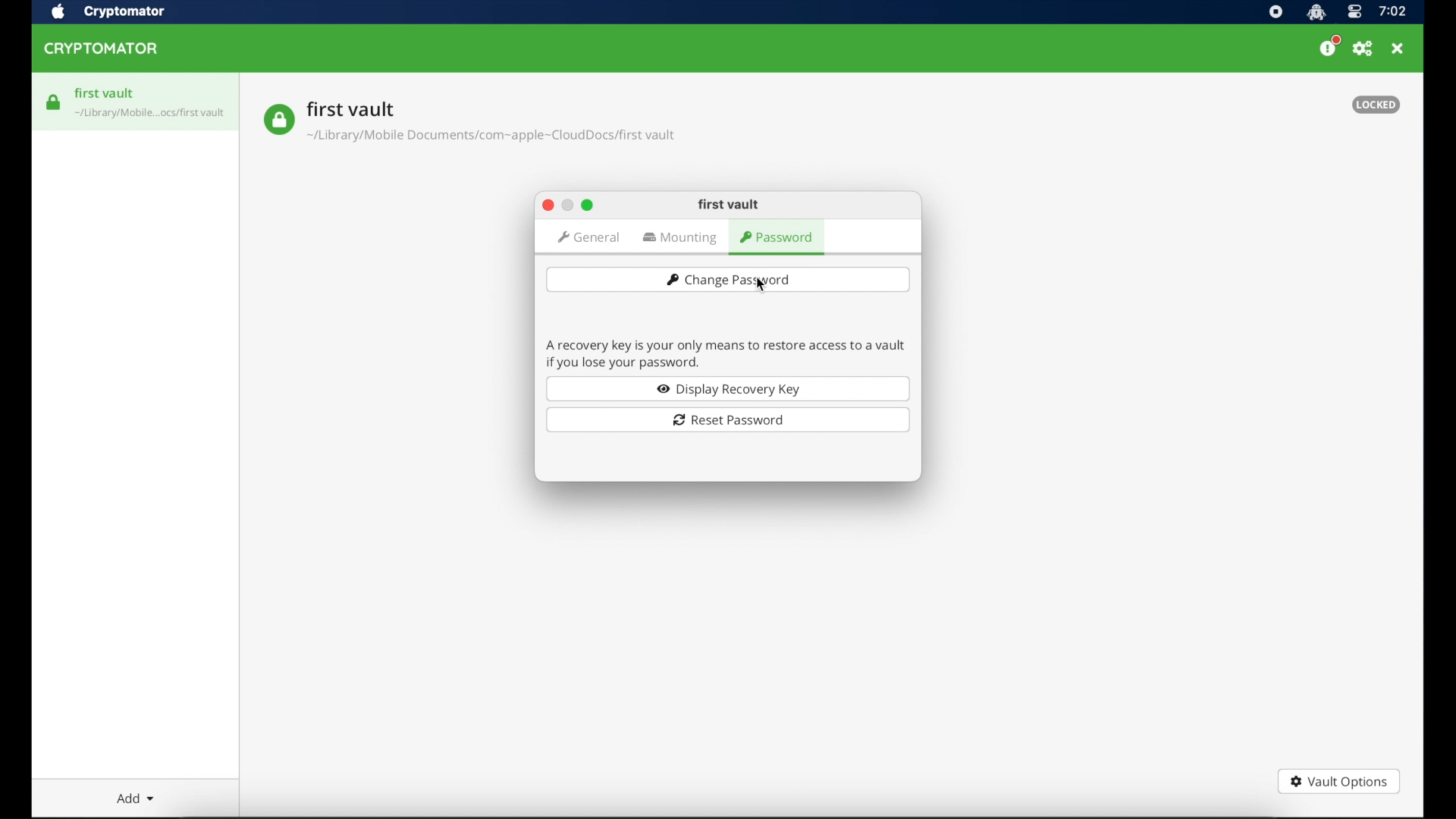 Image resolution: width=1456 pixels, height=819 pixels. Describe the element at coordinates (1363, 49) in the screenshot. I see `preferences` at that location.